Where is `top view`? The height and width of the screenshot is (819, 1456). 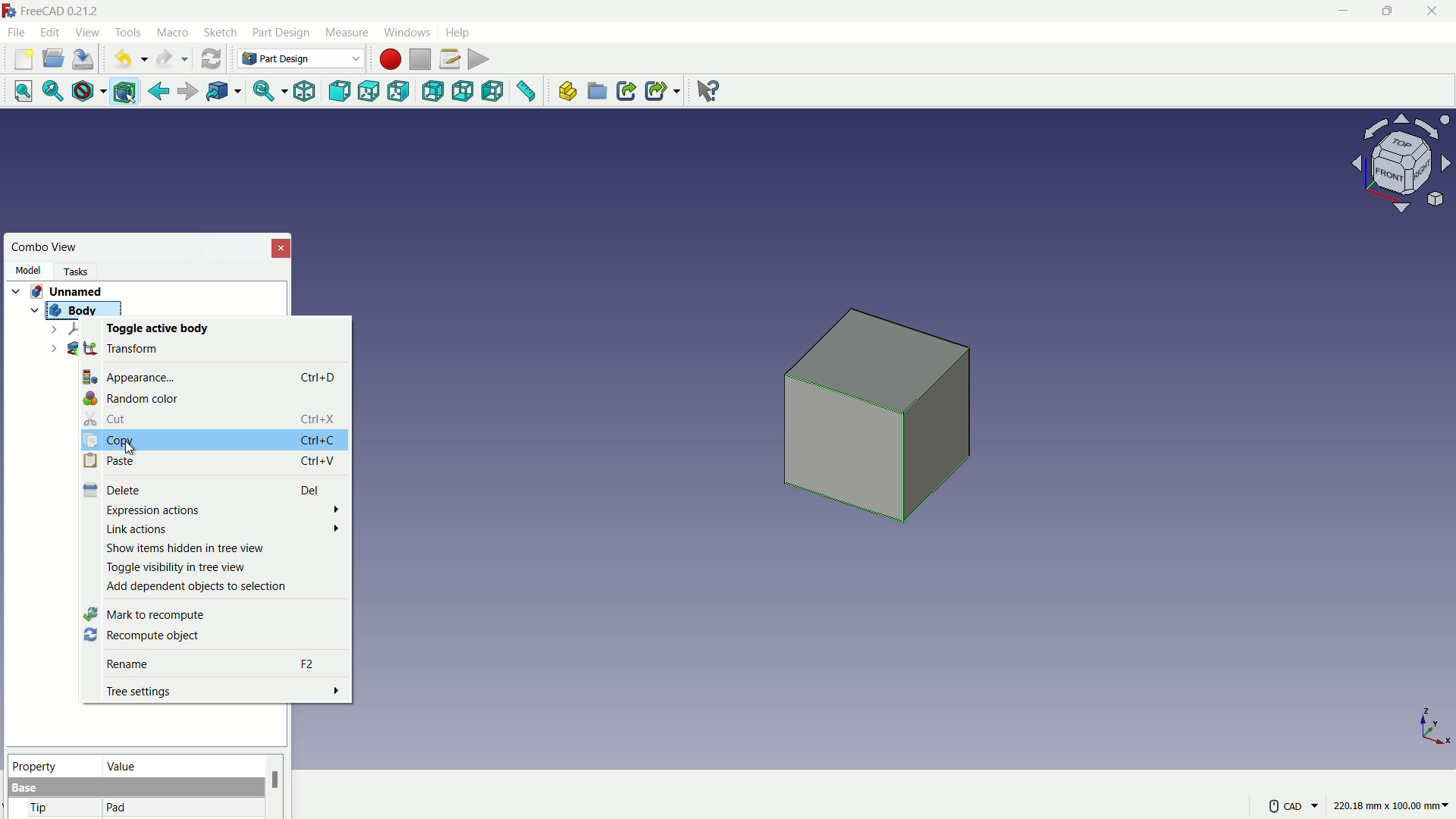
top view is located at coordinates (372, 91).